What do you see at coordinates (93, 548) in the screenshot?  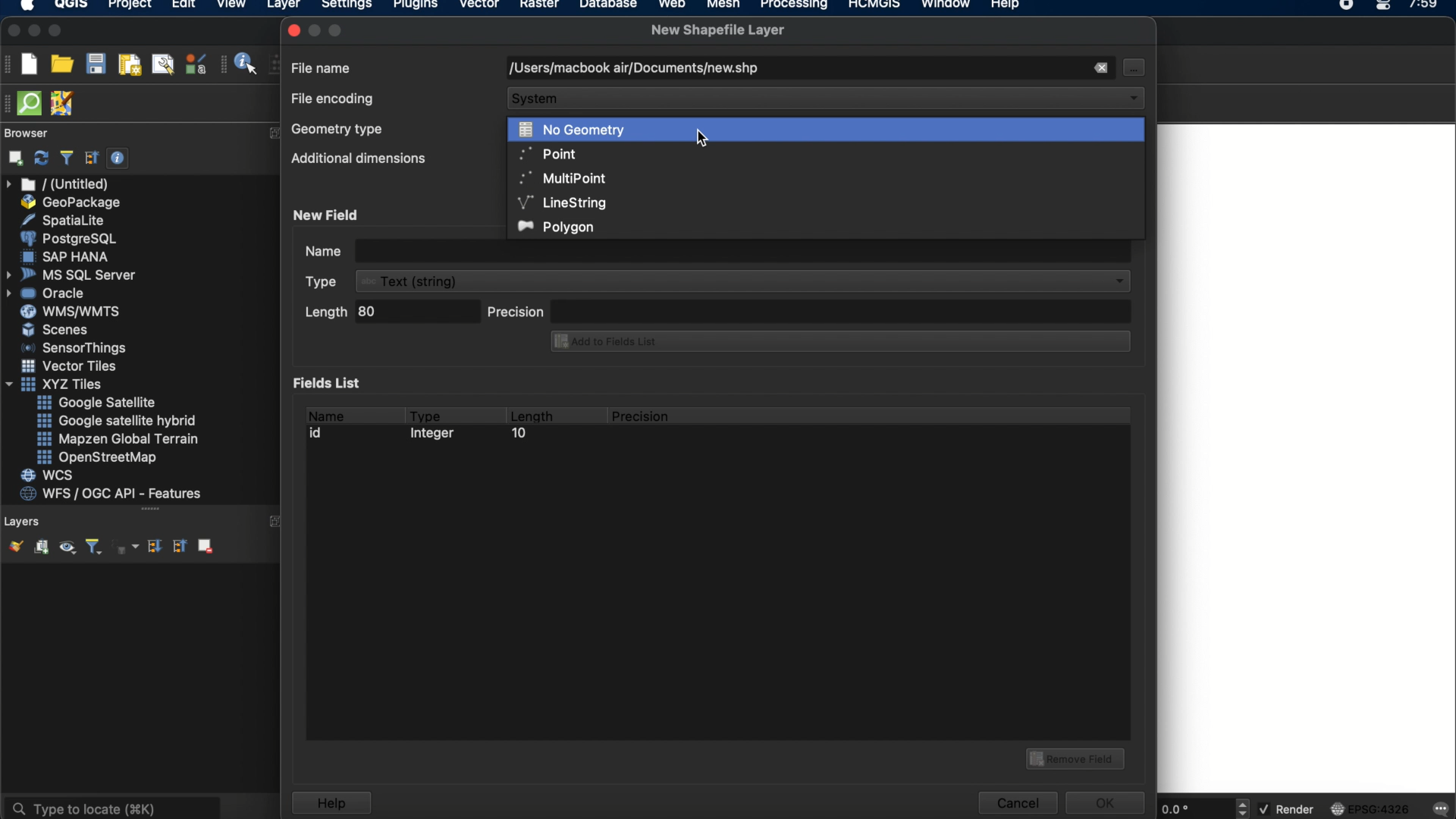 I see `filter legend` at bounding box center [93, 548].